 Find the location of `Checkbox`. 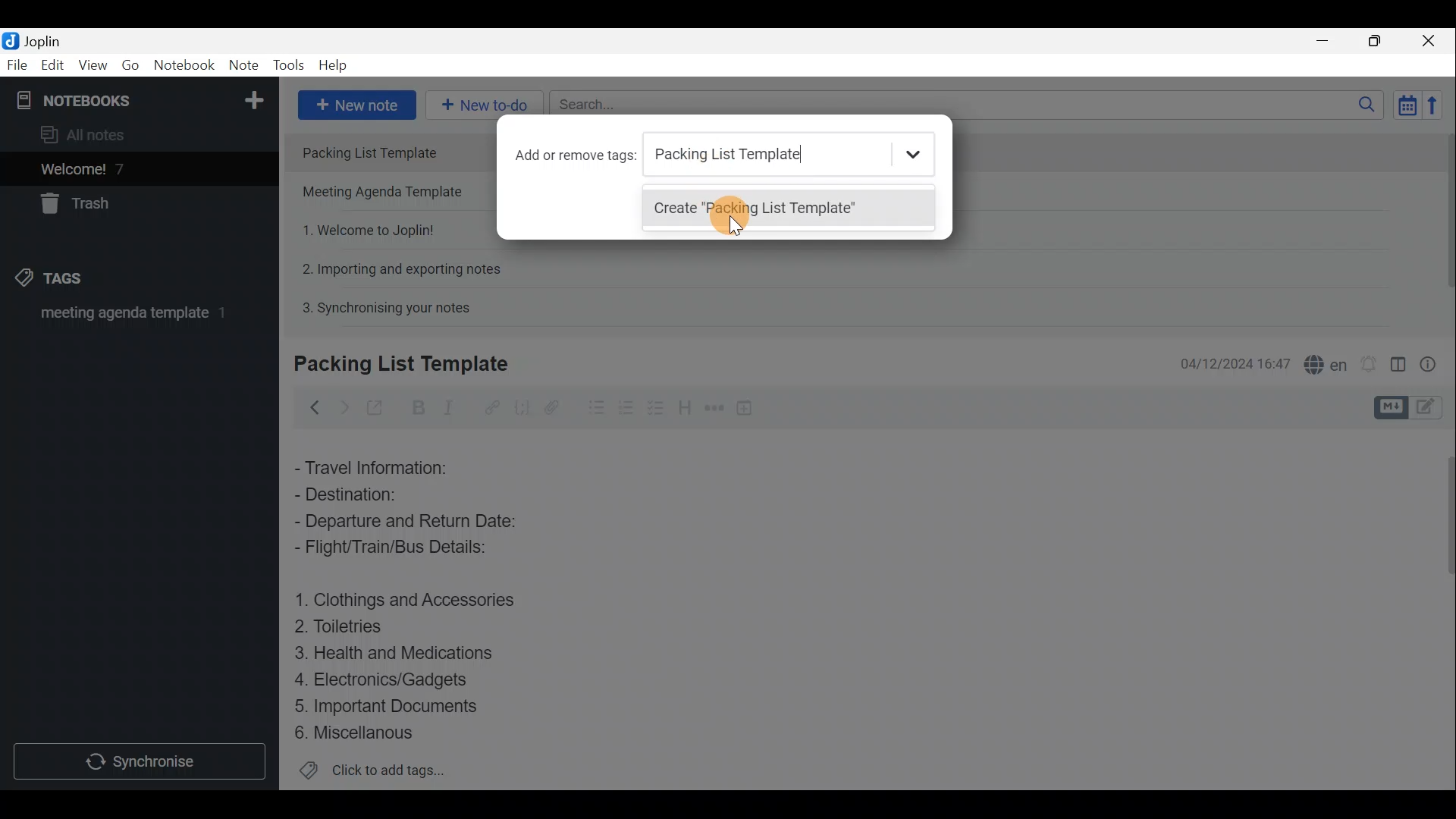

Checkbox is located at coordinates (626, 405).